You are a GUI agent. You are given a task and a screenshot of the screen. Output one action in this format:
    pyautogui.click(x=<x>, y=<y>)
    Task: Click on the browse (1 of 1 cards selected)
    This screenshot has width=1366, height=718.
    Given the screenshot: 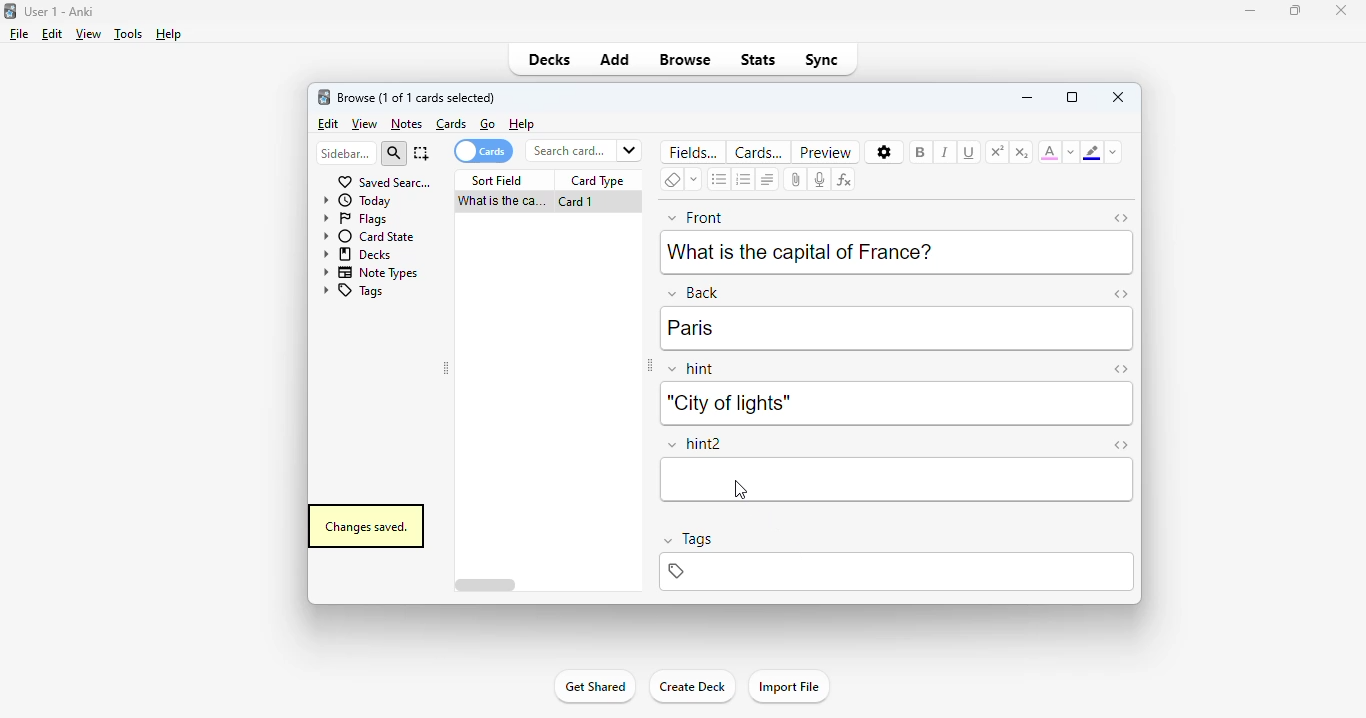 What is the action you would take?
    pyautogui.click(x=417, y=97)
    